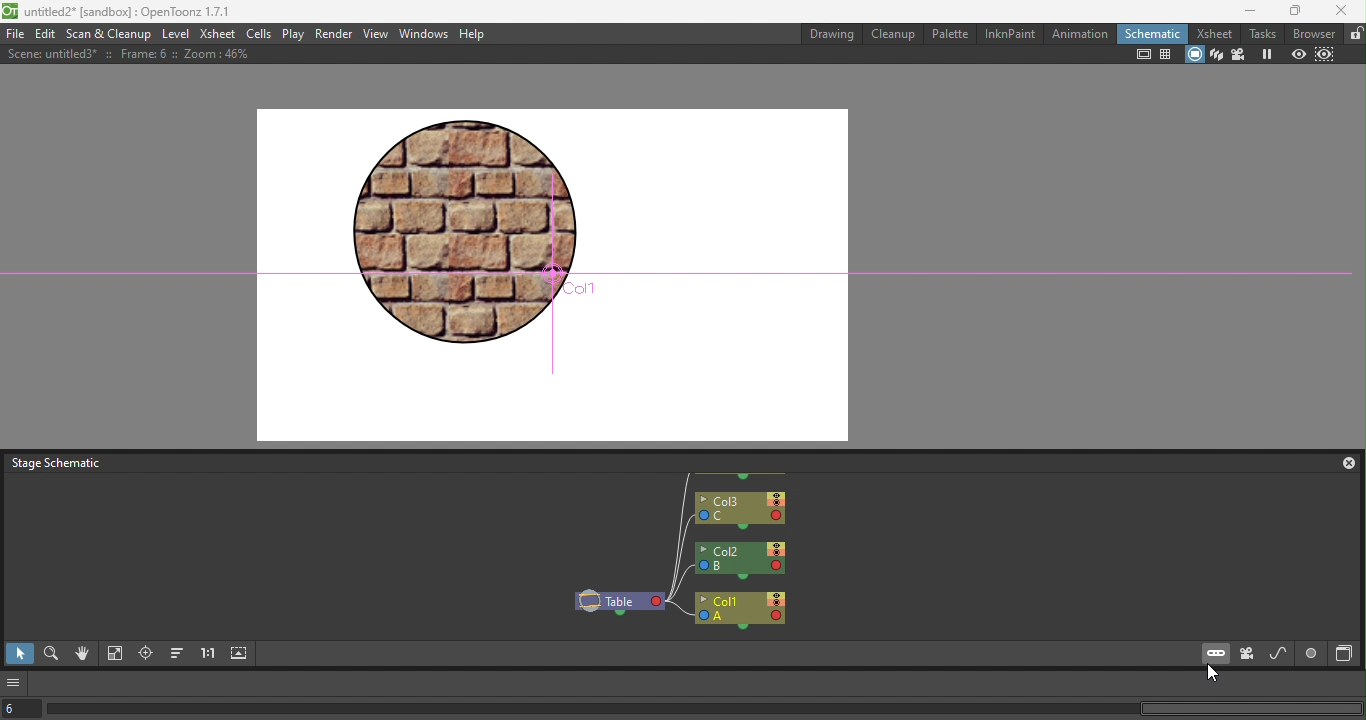 The height and width of the screenshot is (720, 1366). I want to click on Horizontal scroll bar, so click(704, 709).